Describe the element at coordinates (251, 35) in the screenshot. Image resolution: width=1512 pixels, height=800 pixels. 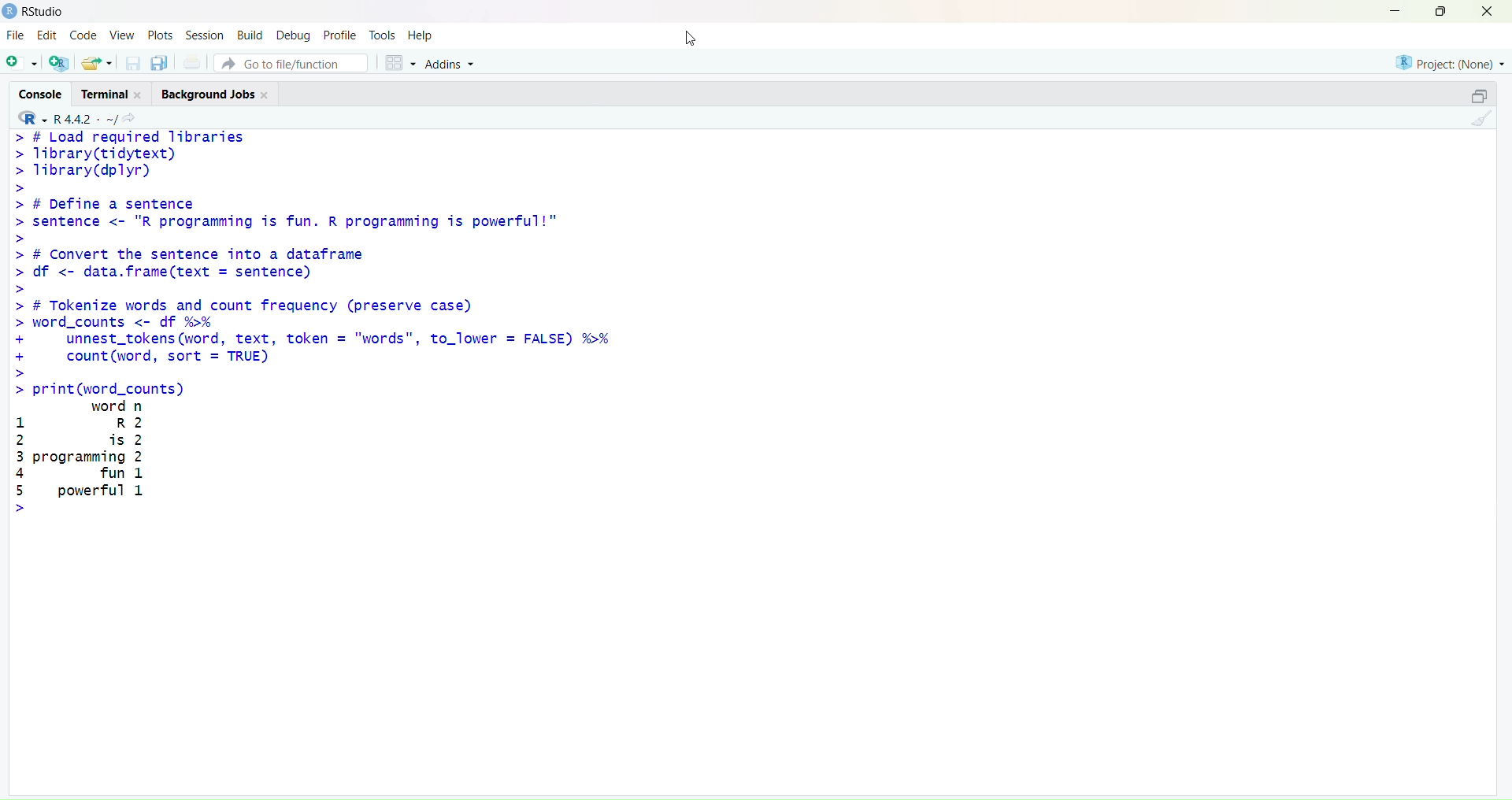
I see `build` at that location.